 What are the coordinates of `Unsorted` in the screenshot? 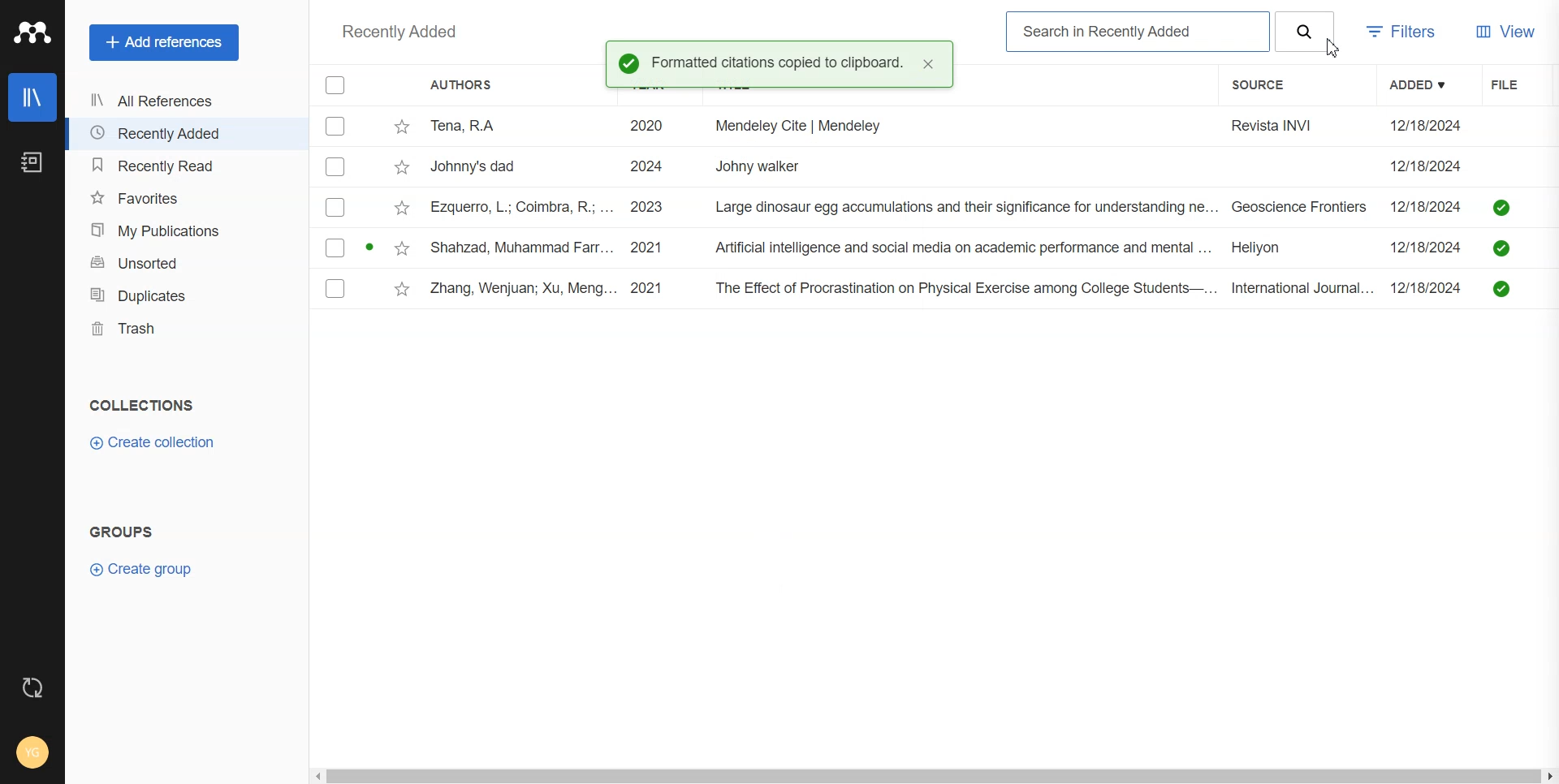 It's located at (188, 263).